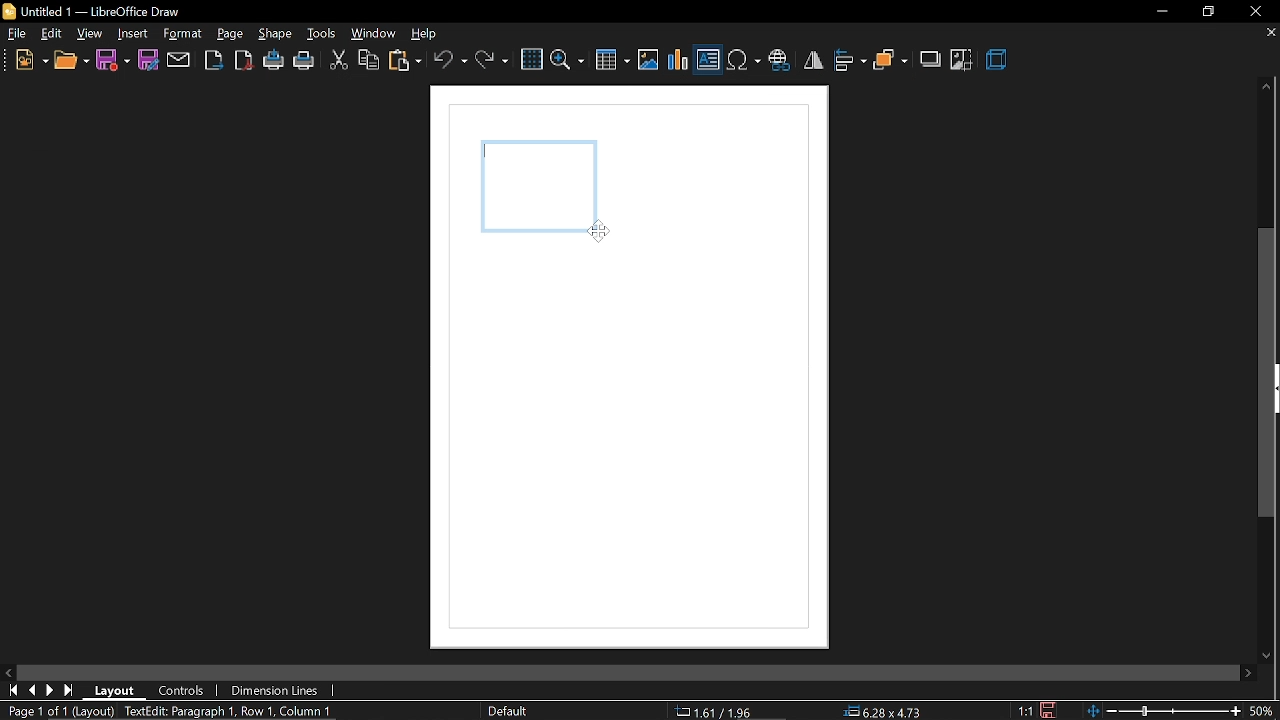 The image size is (1280, 720). I want to click on tools, so click(322, 35).